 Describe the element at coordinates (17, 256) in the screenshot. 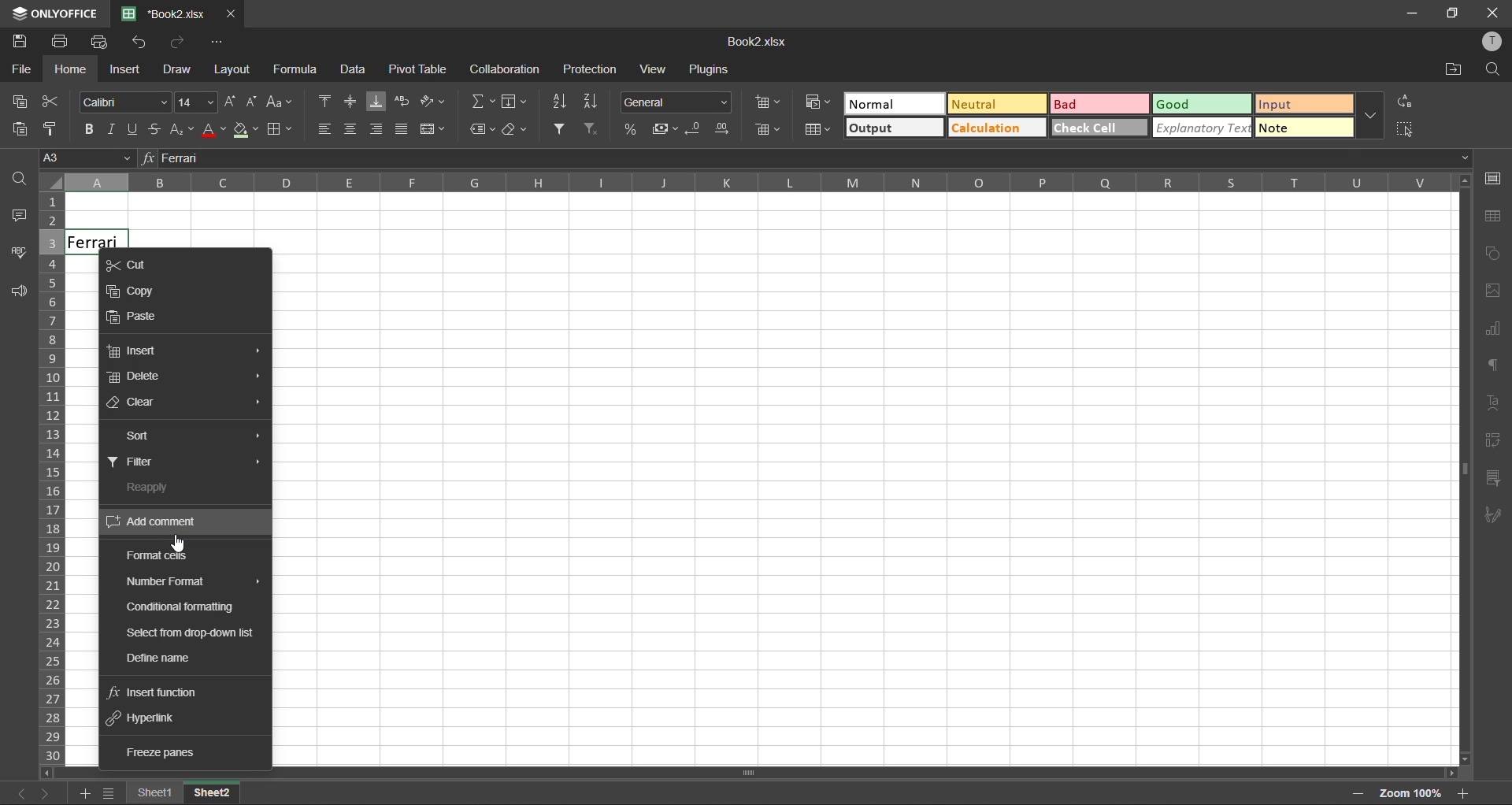

I see `spellcheck` at that location.